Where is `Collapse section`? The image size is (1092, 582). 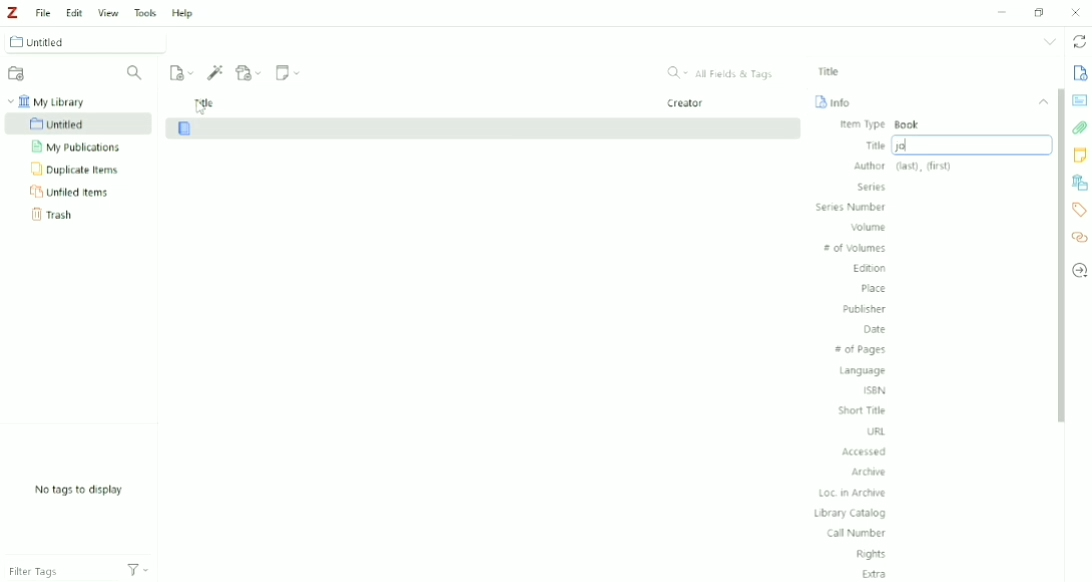
Collapse section is located at coordinates (1044, 102).